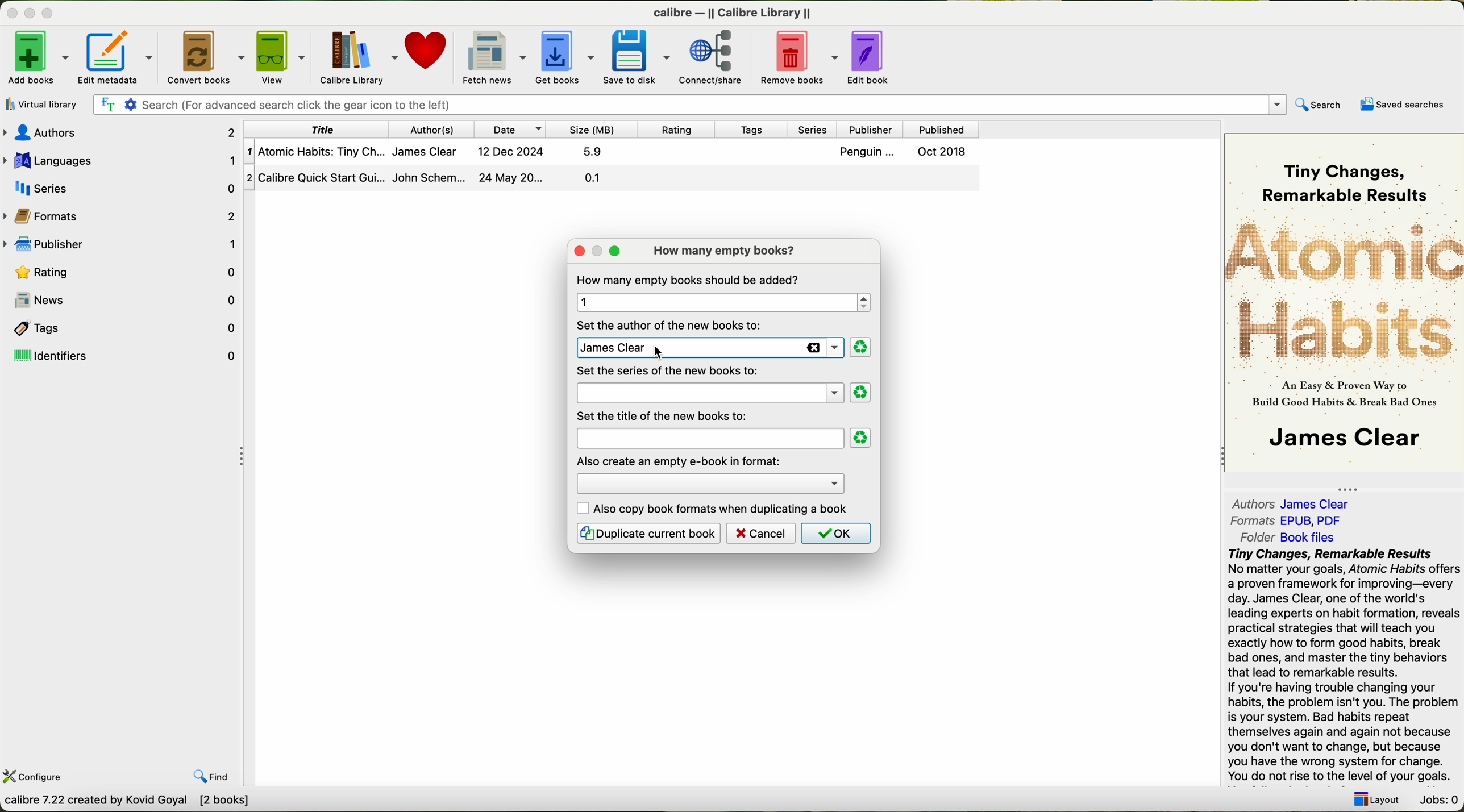  Describe the element at coordinates (693, 105) in the screenshot. I see `search bar` at that location.